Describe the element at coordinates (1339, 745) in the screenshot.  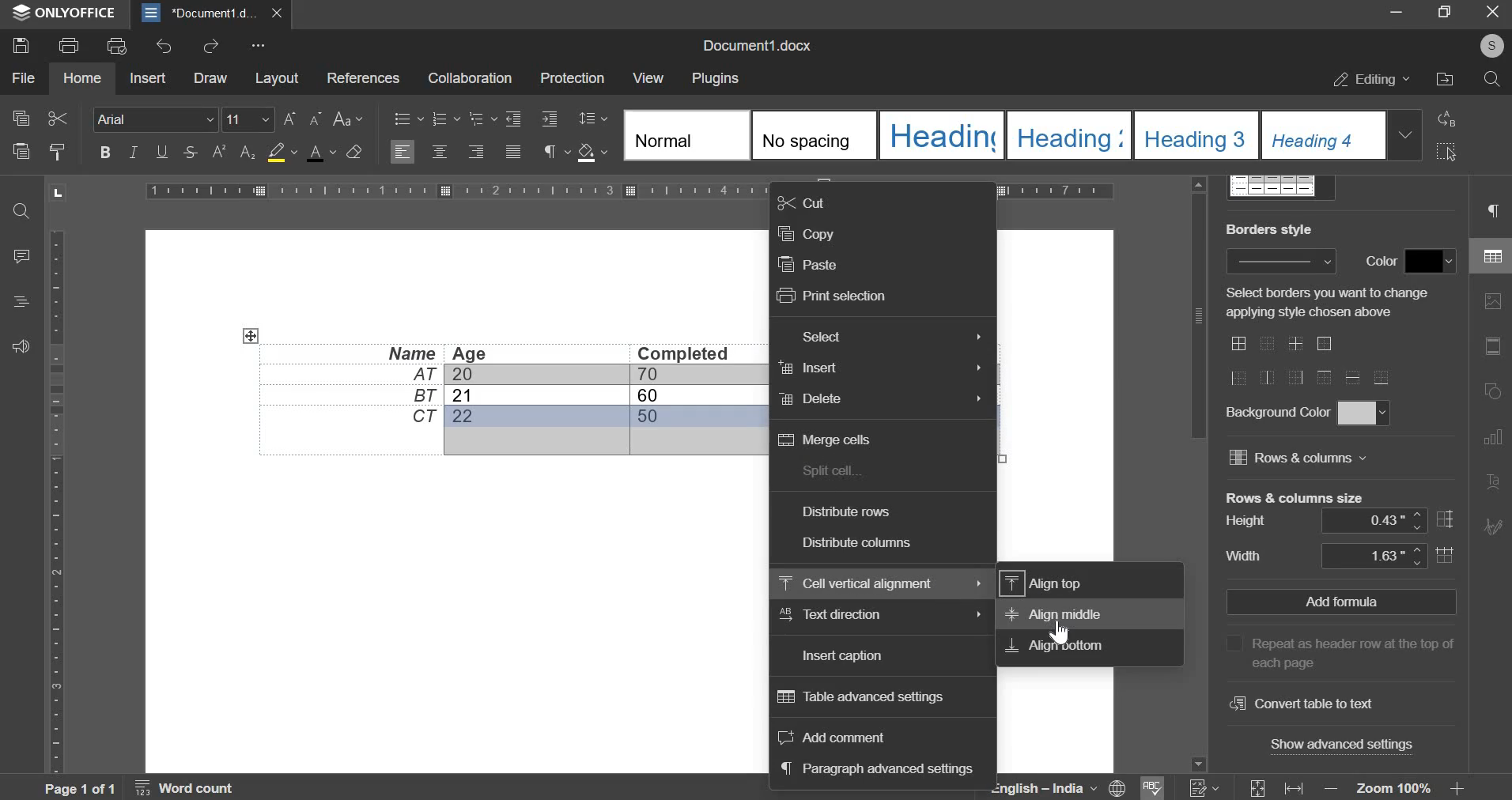
I see `show advanced settings` at that location.